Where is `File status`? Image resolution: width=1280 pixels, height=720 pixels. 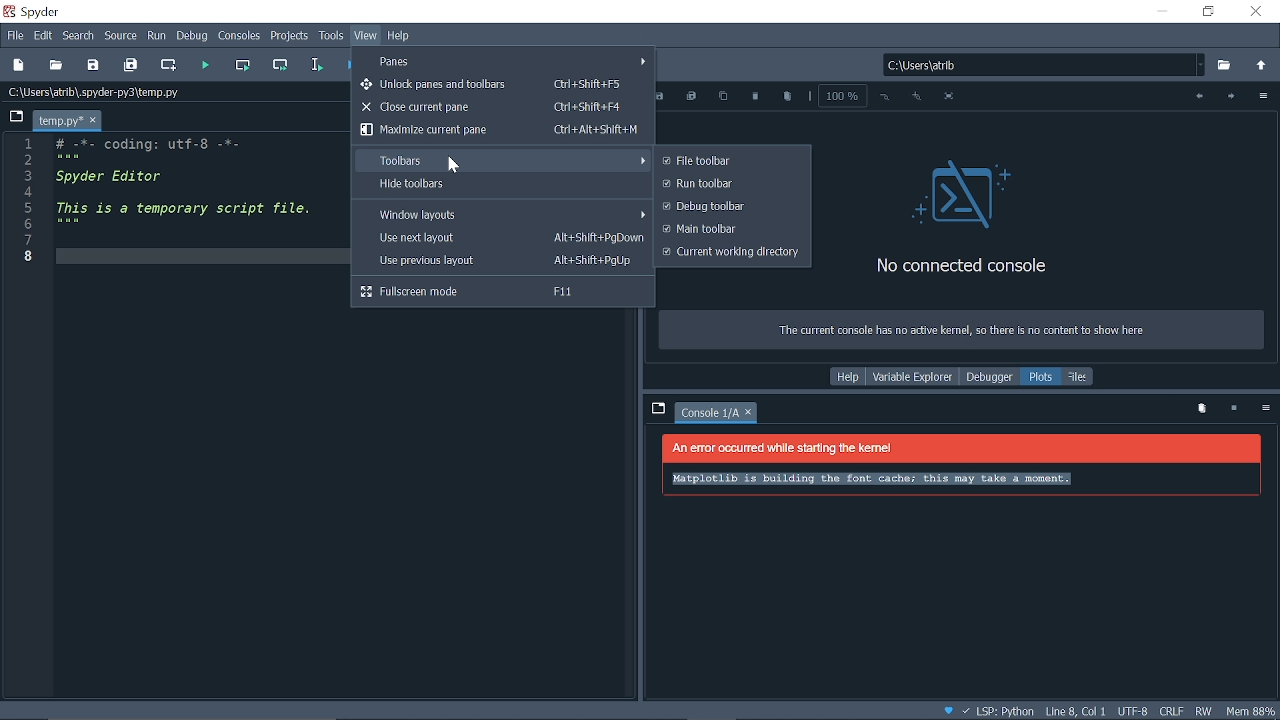
File status is located at coordinates (1170, 711).